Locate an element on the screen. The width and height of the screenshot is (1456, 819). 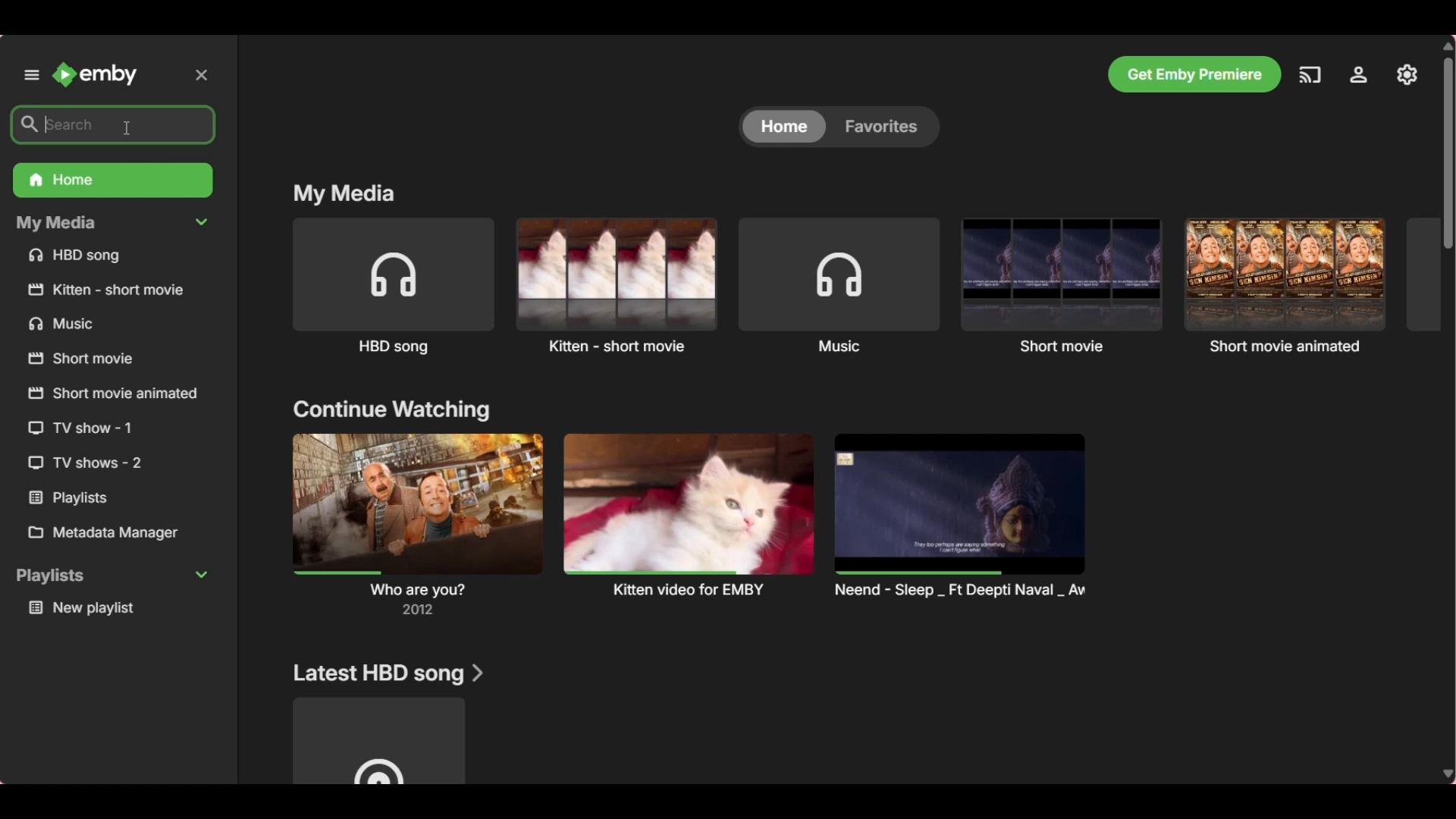
 is located at coordinates (104, 359).